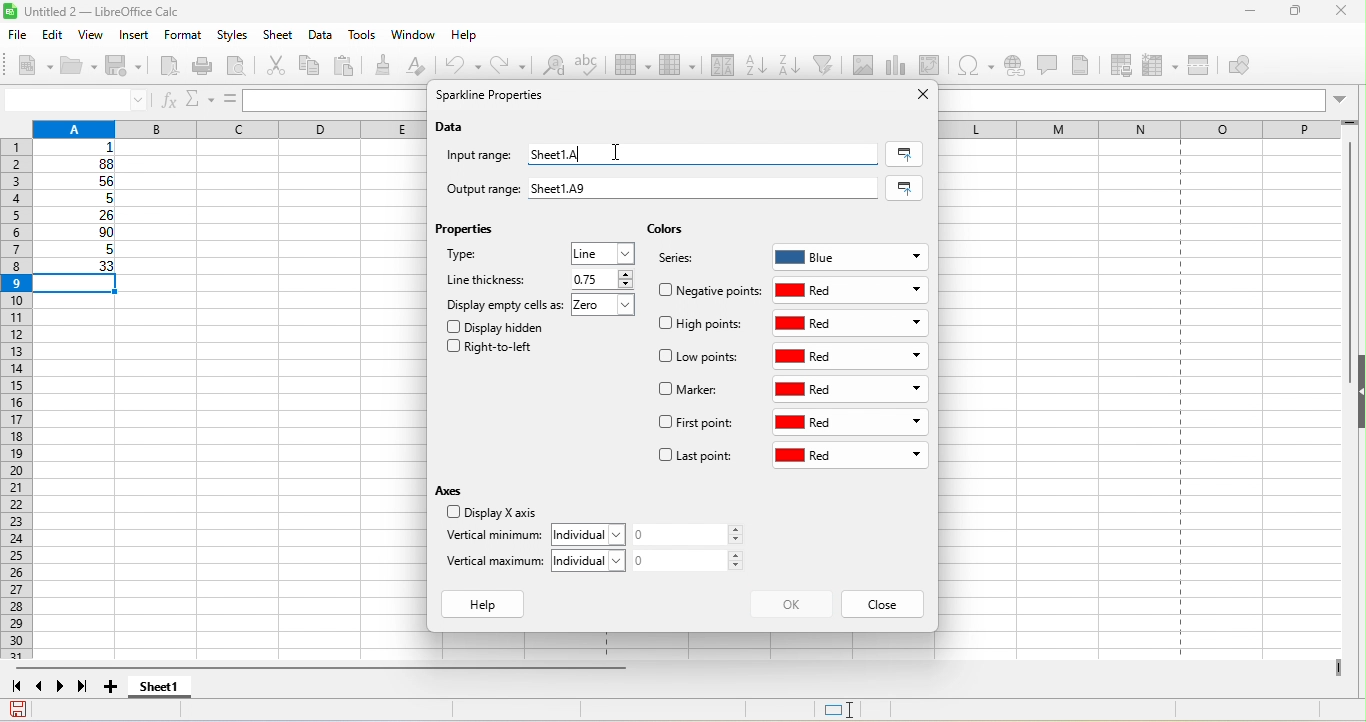 This screenshot has width=1366, height=722. Describe the element at coordinates (18, 709) in the screenshot. I see `save document` at that location.